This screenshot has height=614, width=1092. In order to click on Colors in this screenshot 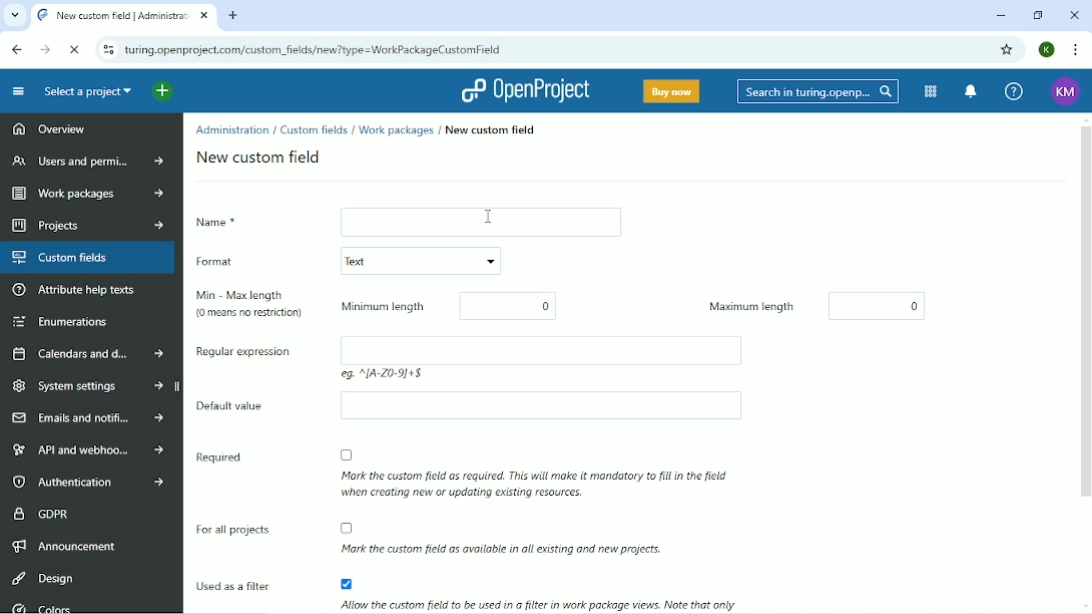, I will do `click(41, 606)`.